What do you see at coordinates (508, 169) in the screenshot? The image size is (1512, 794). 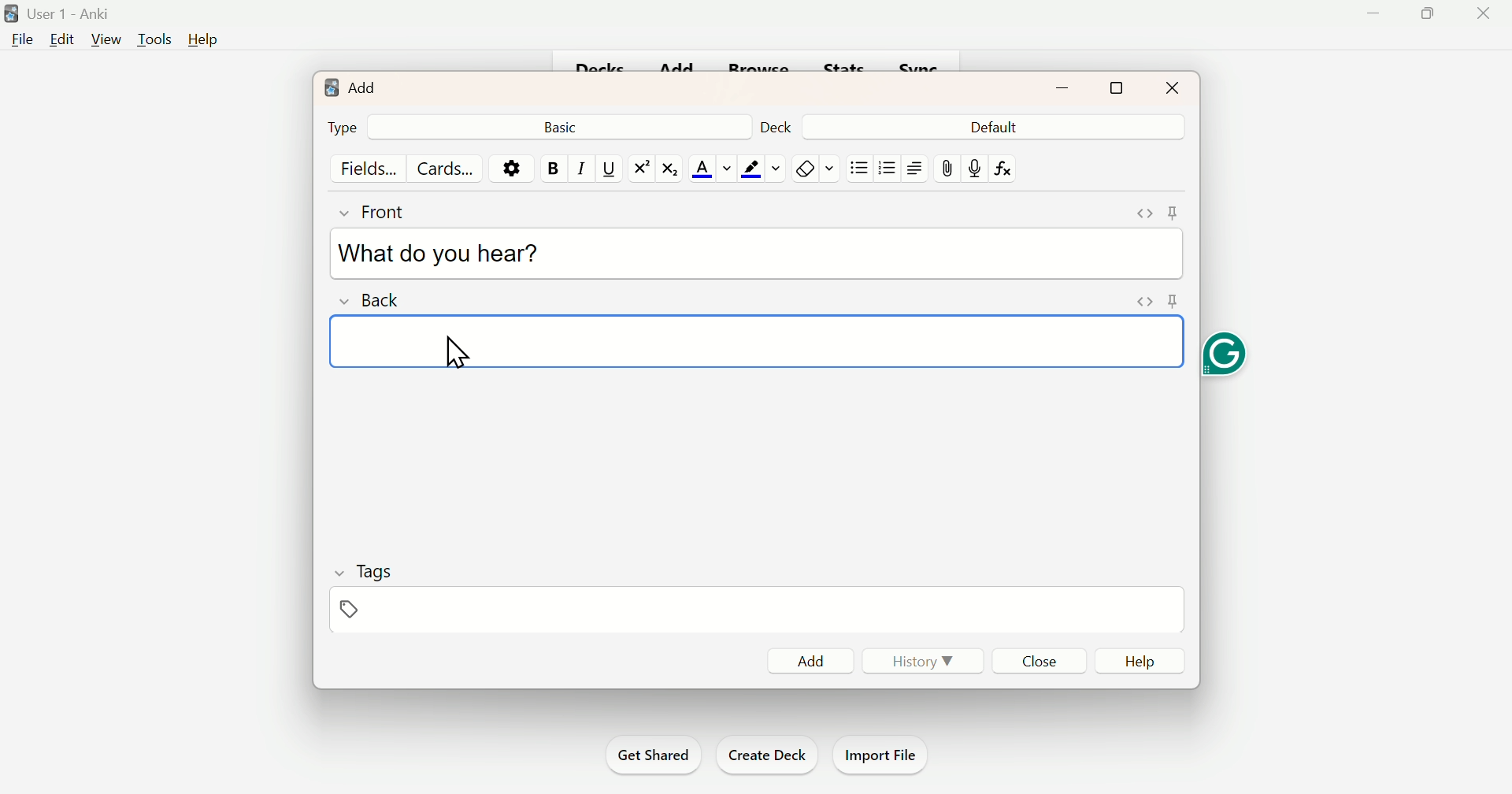 I see `Options` at bounding box center [508, 169].